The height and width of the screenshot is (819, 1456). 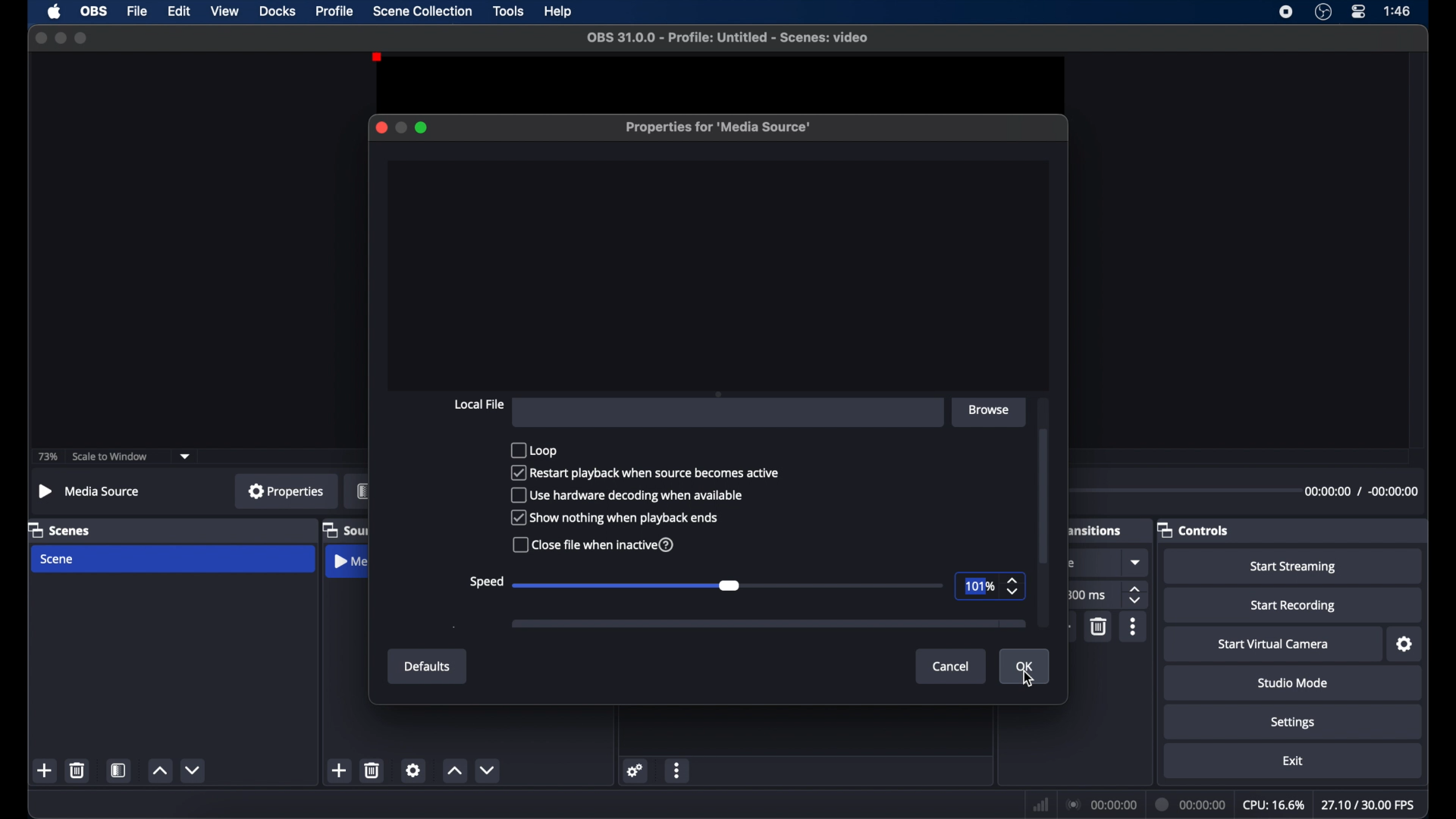 I want to click on cpu, so click(x=1274, y=805).